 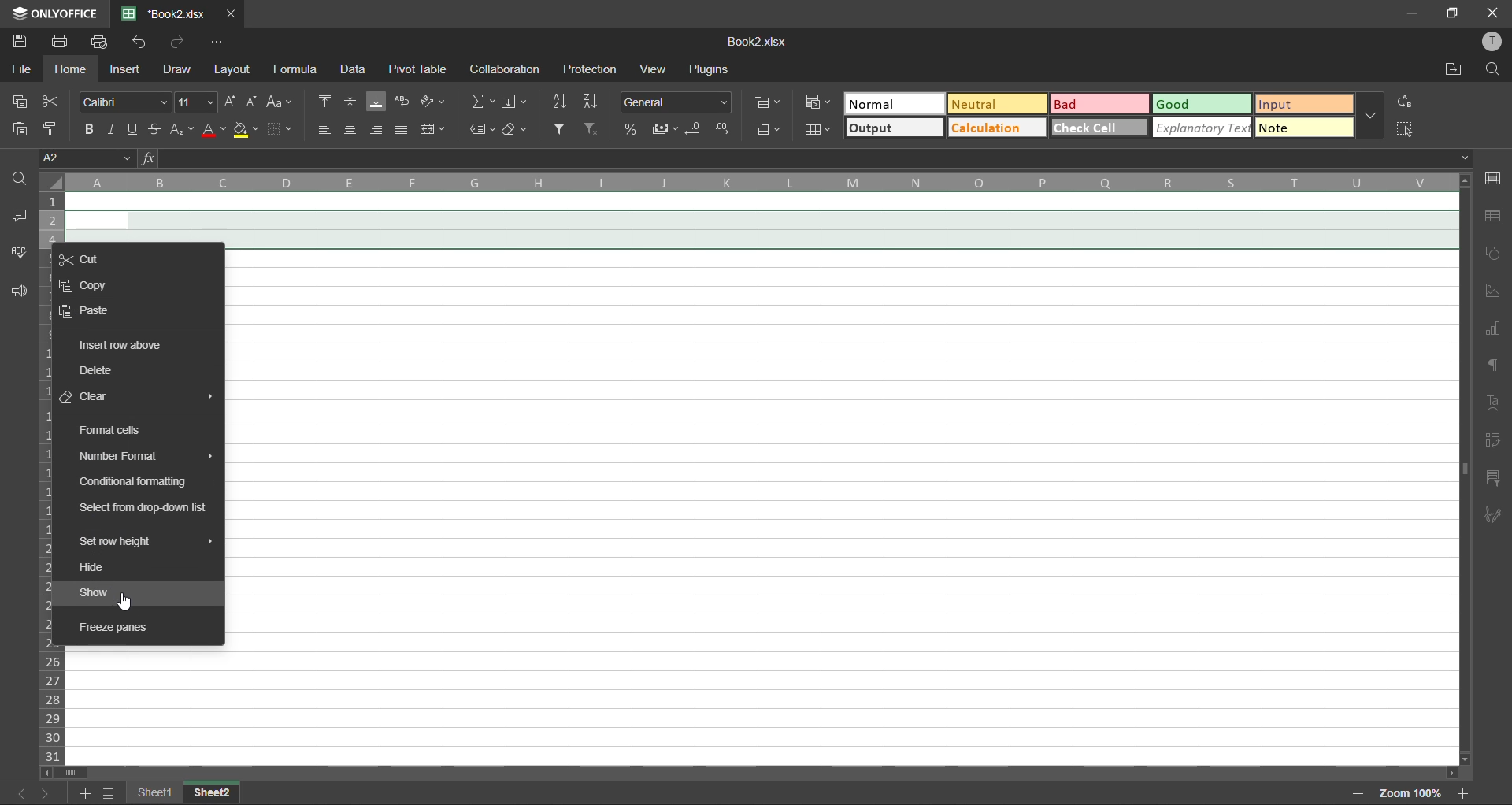 I want to click on images, so click(x=1488, y=291).